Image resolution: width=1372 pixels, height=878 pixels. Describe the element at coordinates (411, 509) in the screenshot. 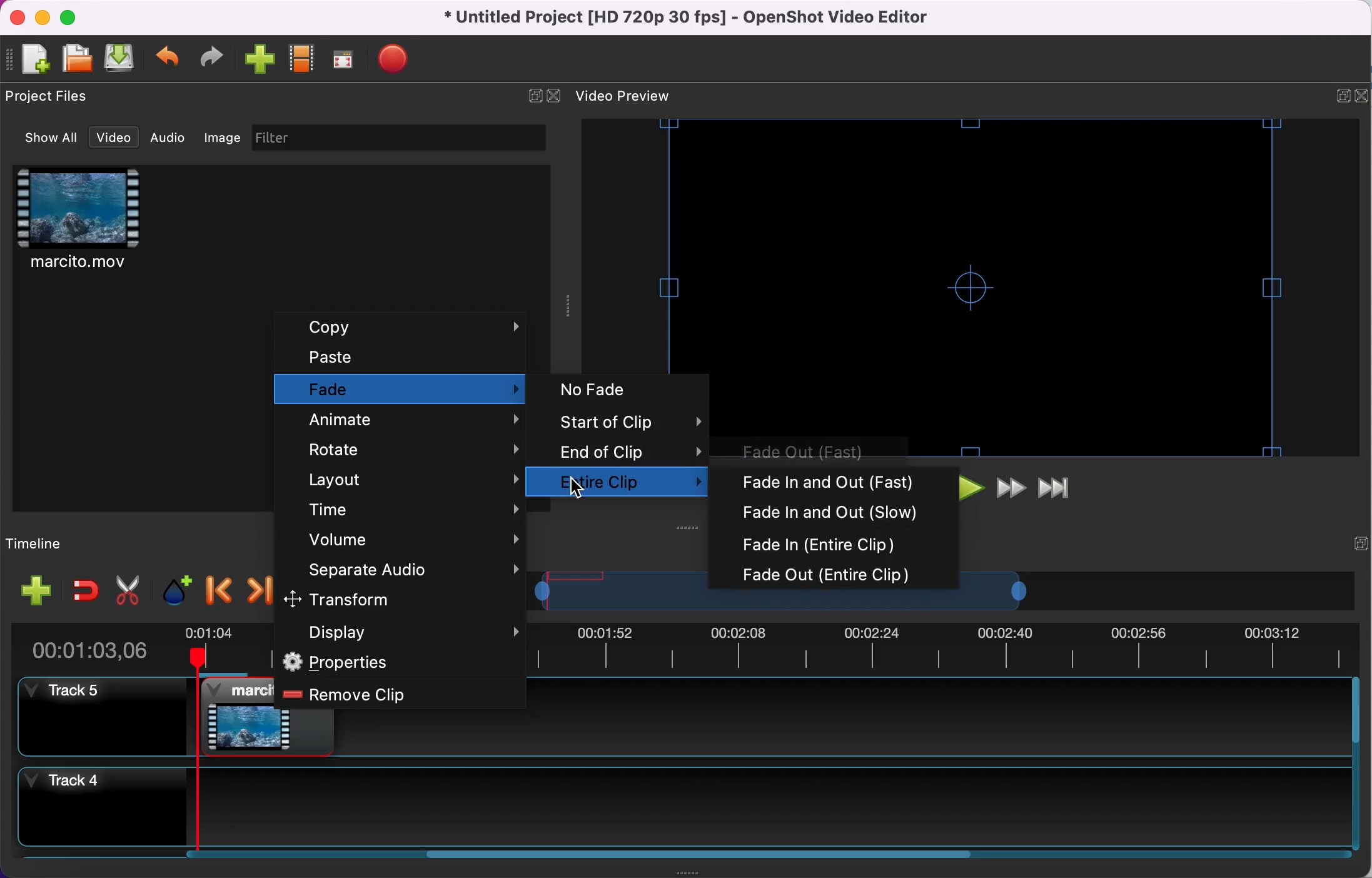

I see `time` at that location.